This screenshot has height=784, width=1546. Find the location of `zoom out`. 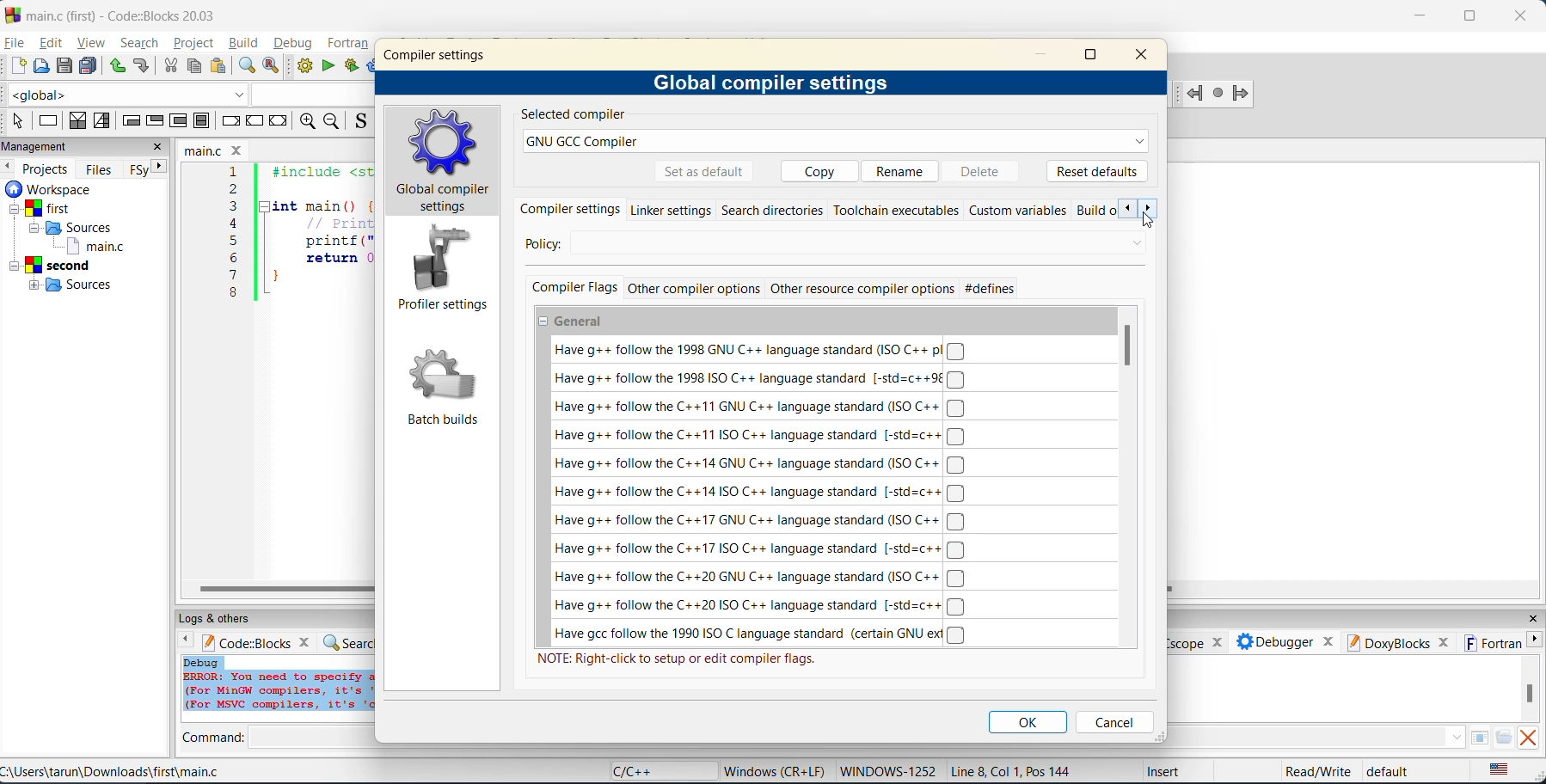

zoom out is located at coordinates (334, 122).